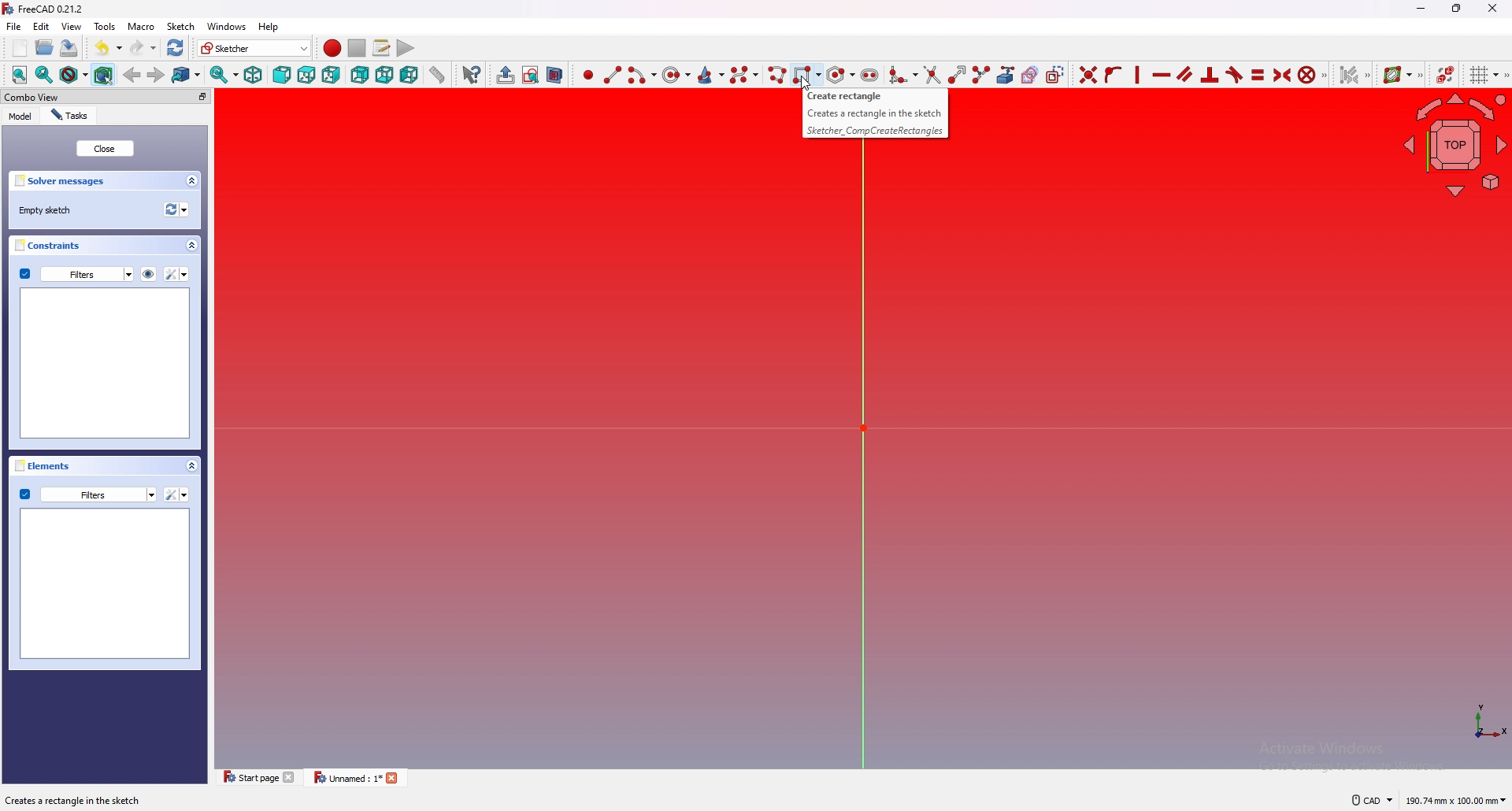 This screenshot has width=1512, height=811. What do you see at coordinates (904, 75) in the screenshot?
I see `create fillet` at bounding box center [904, 75].